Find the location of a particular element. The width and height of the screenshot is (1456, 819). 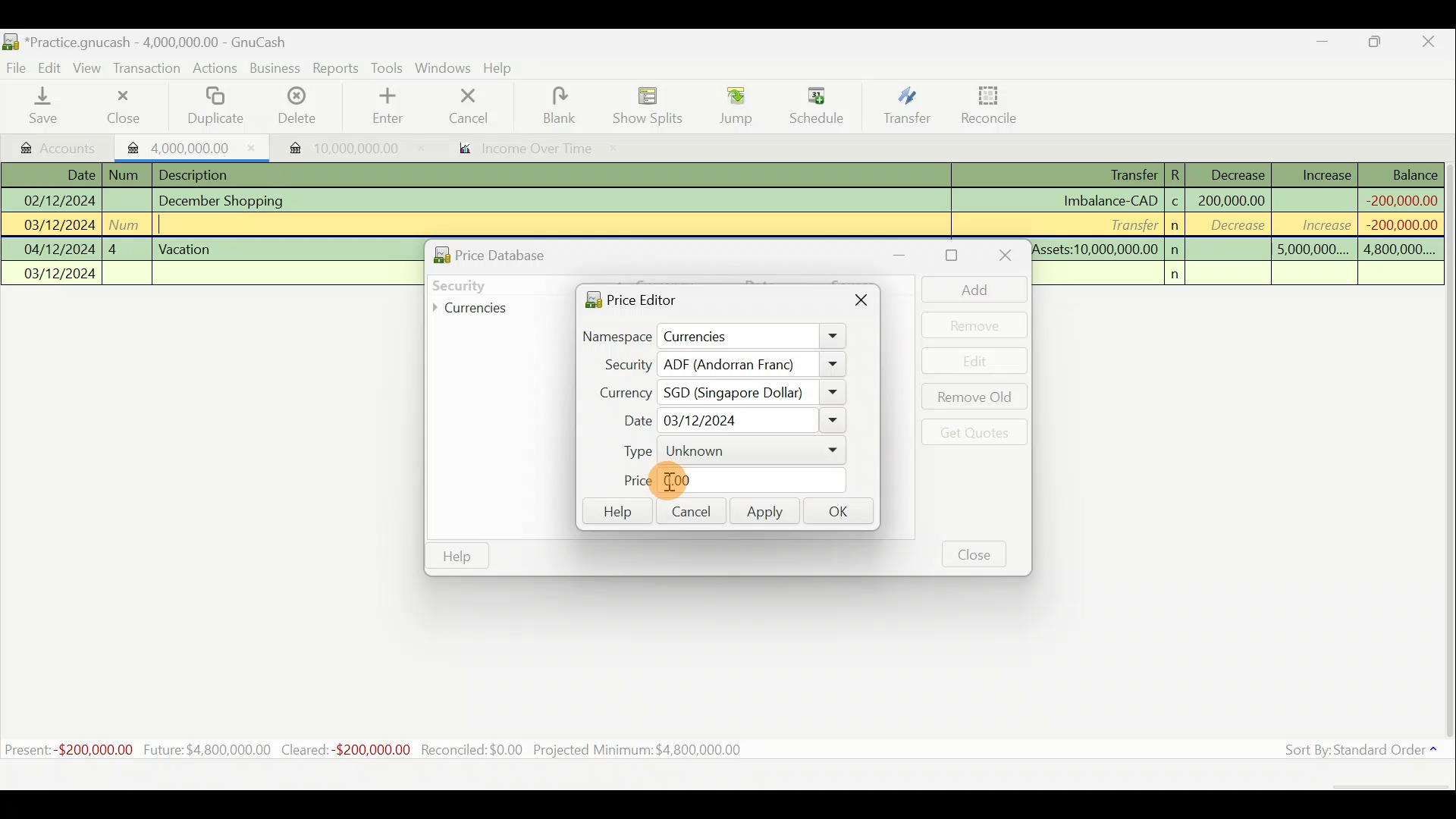

increase is located at coordinates (1317, 224).